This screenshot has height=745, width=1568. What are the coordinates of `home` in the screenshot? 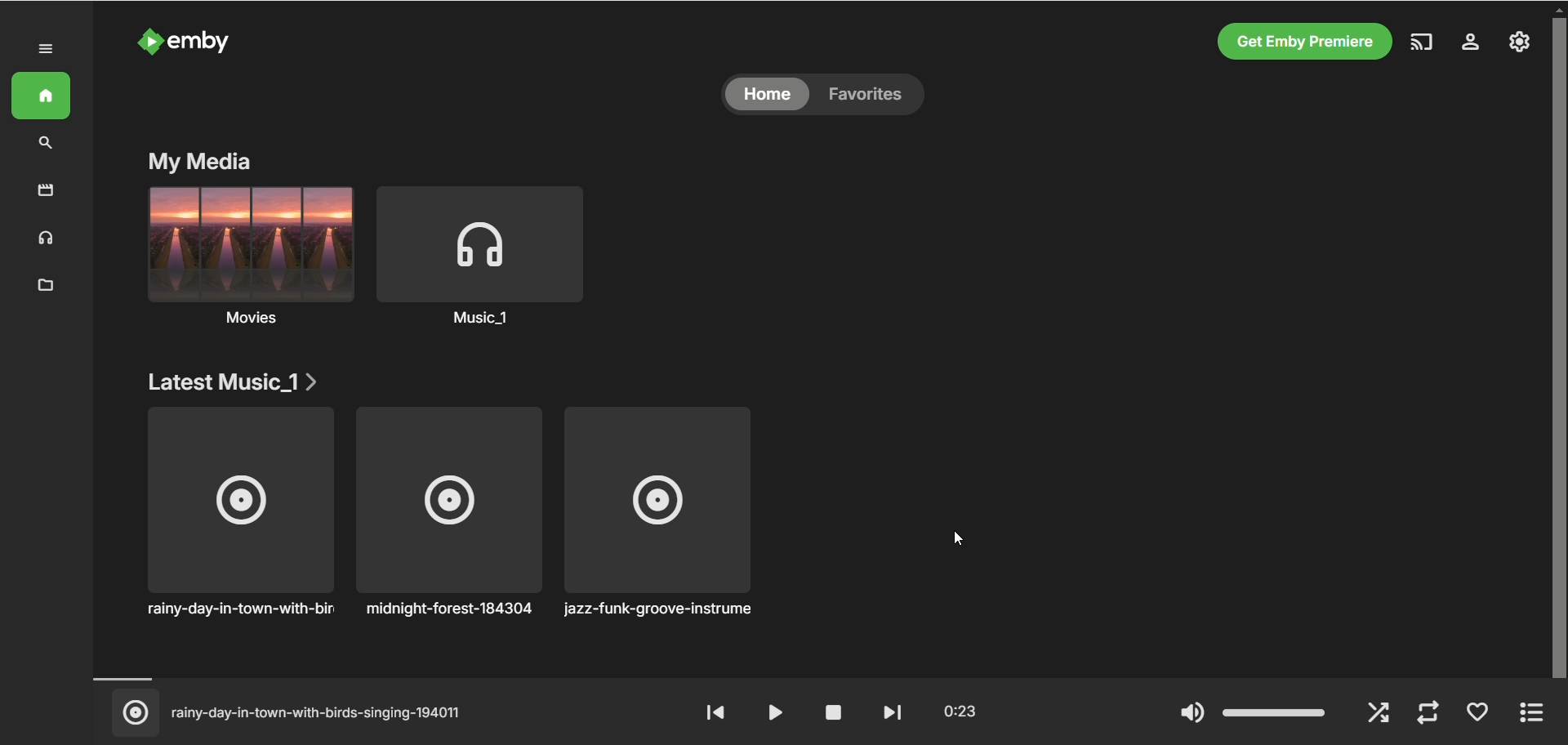 It's located at (42, 96).